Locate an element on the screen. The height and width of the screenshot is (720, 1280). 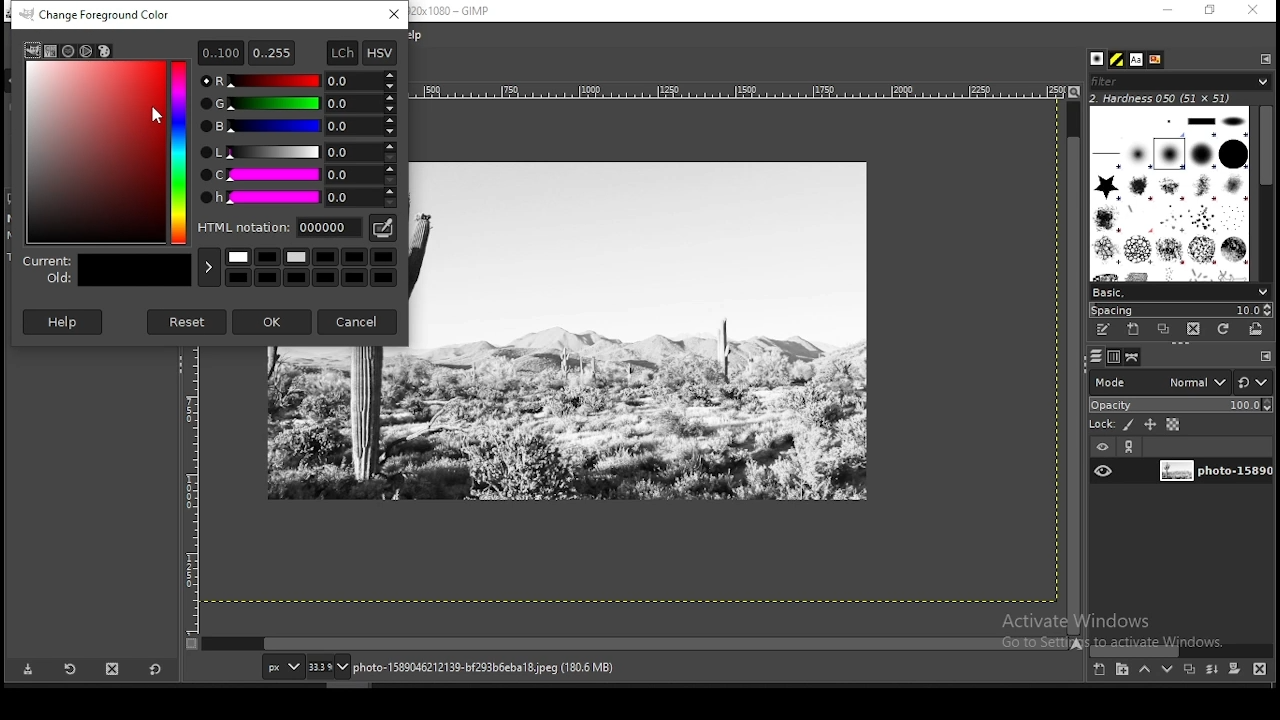
move layer one step up is located at coordinates (1144, 669).